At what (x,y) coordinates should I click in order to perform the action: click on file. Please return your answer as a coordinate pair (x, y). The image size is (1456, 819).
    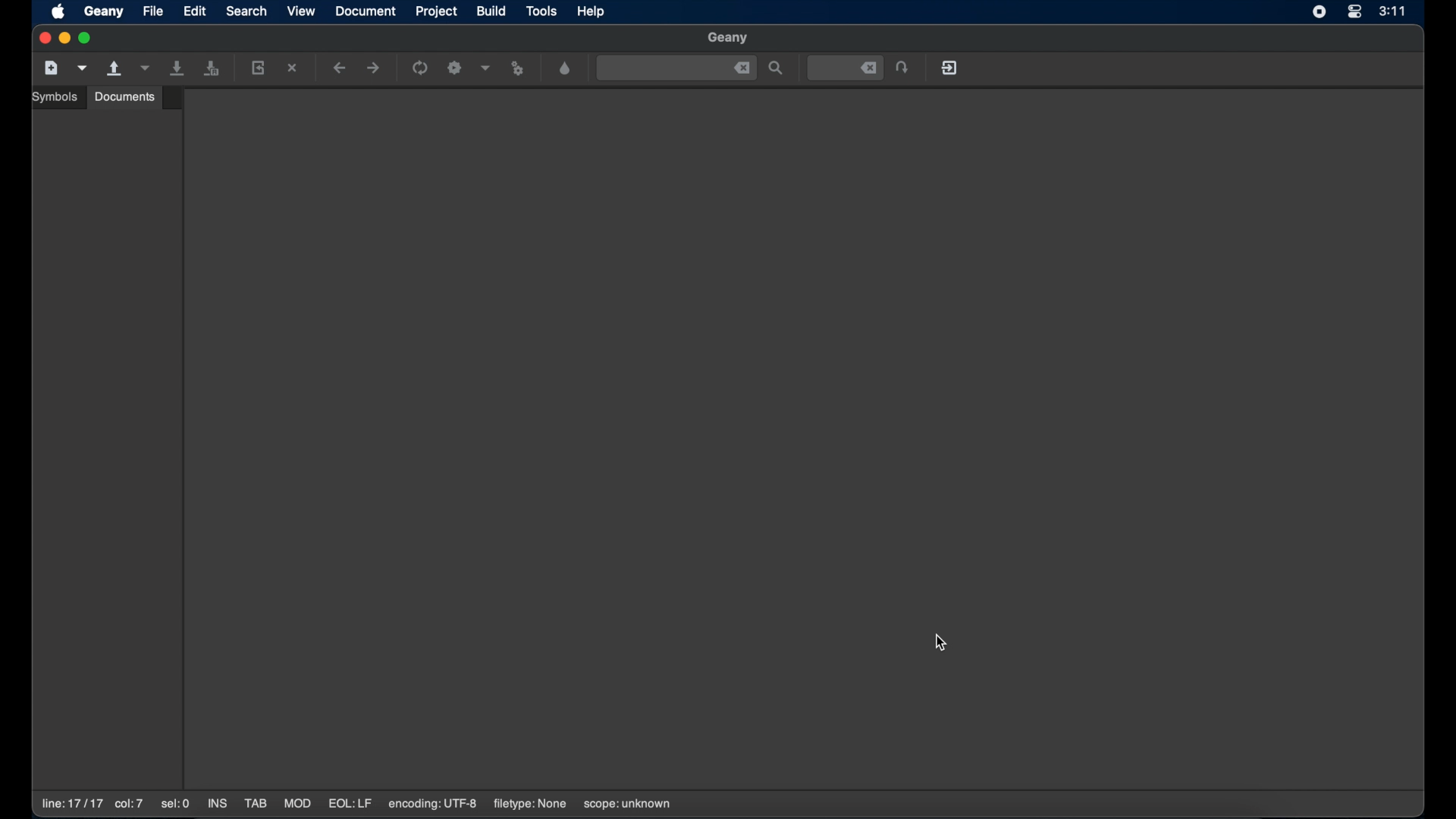
    Looking at the image, I should click on (154, 11).